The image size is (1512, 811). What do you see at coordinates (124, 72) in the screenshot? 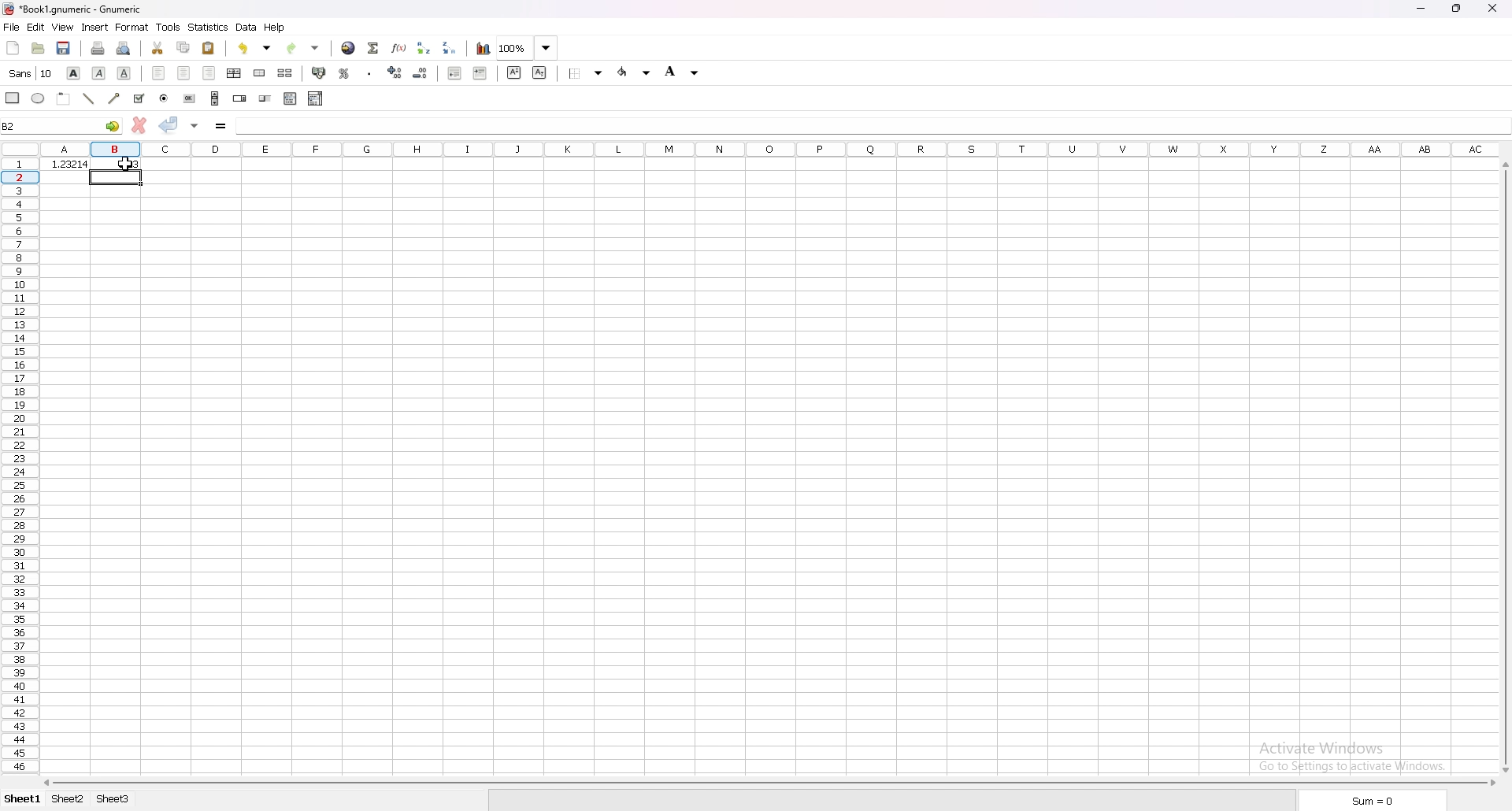
I see `underline` at bounding box center [124, 72].